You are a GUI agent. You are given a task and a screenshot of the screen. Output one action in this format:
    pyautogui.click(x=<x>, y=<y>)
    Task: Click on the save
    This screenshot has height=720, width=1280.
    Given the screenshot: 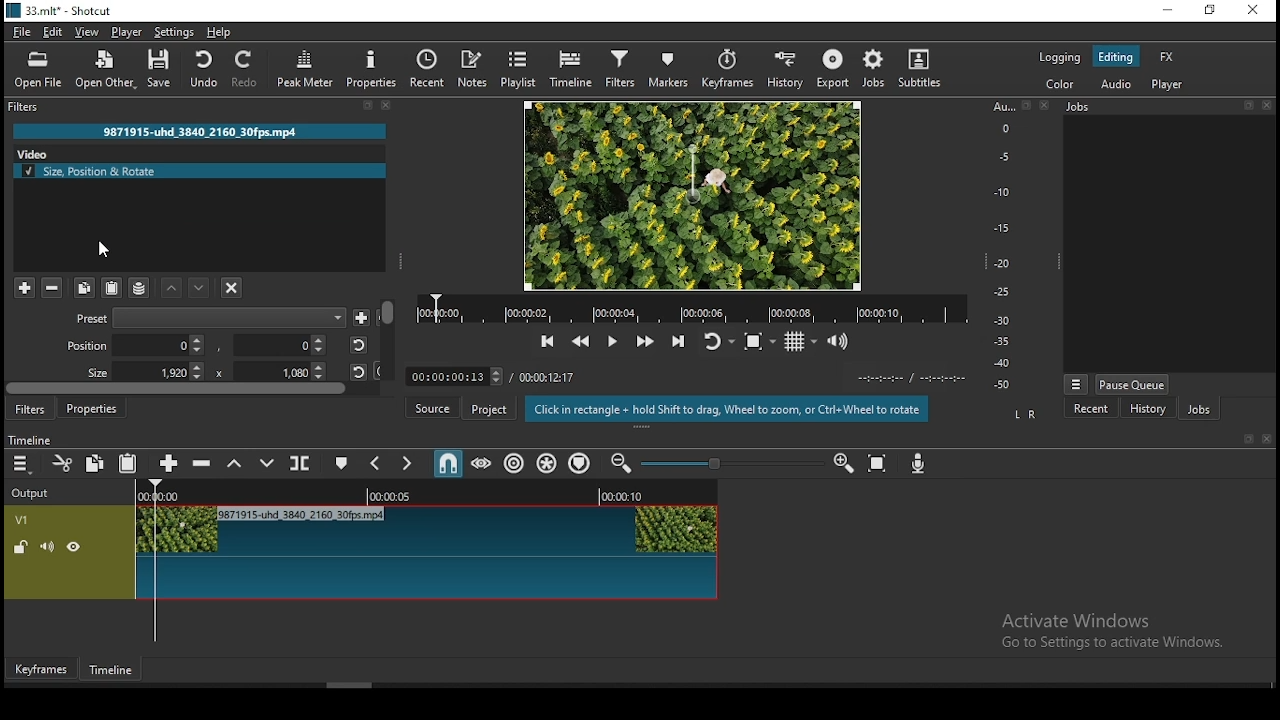 What is the action you would take?
    pyautogui.click(x=157, y=70)
    